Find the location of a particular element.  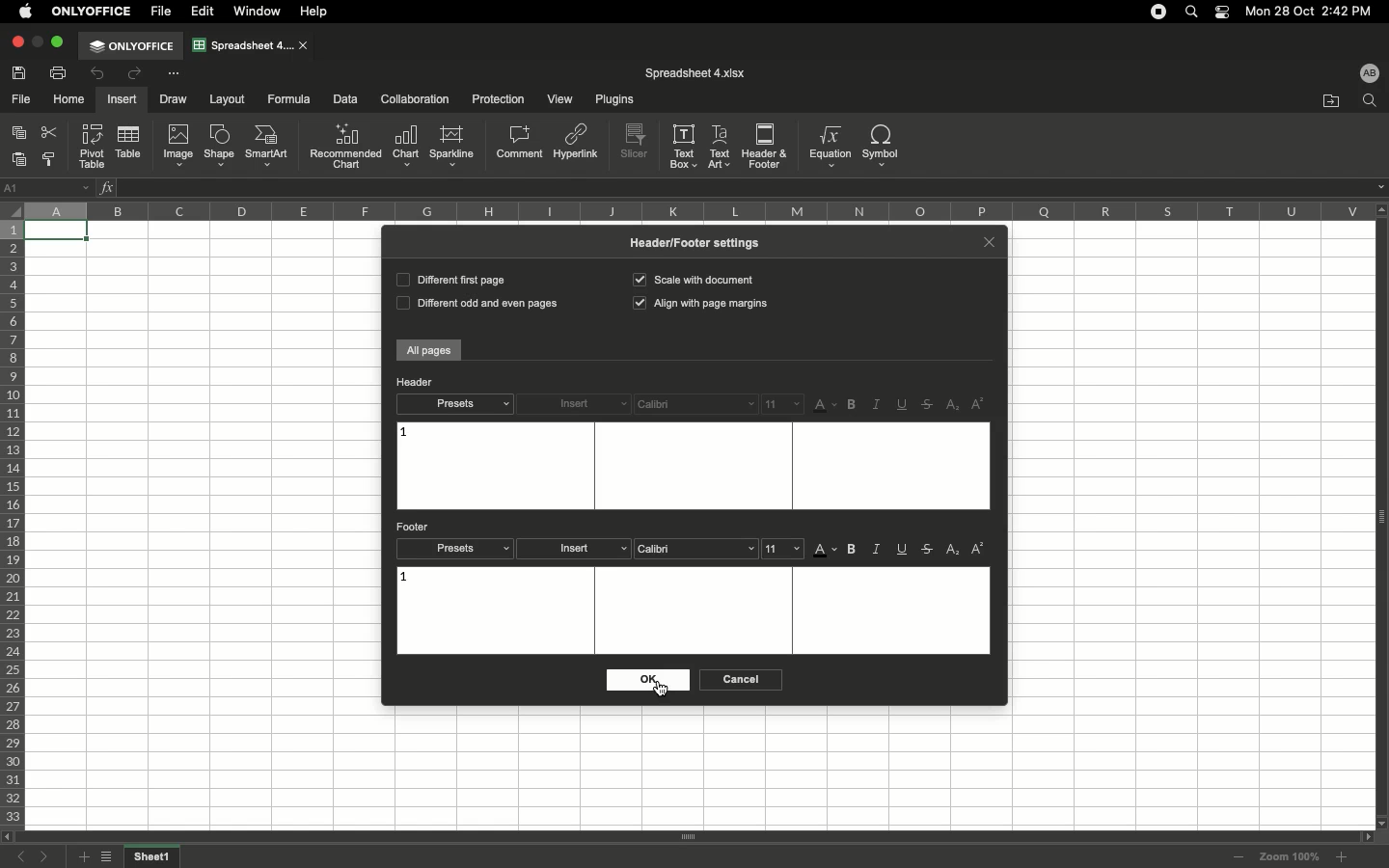

User is located at coordinates (1369, 72).